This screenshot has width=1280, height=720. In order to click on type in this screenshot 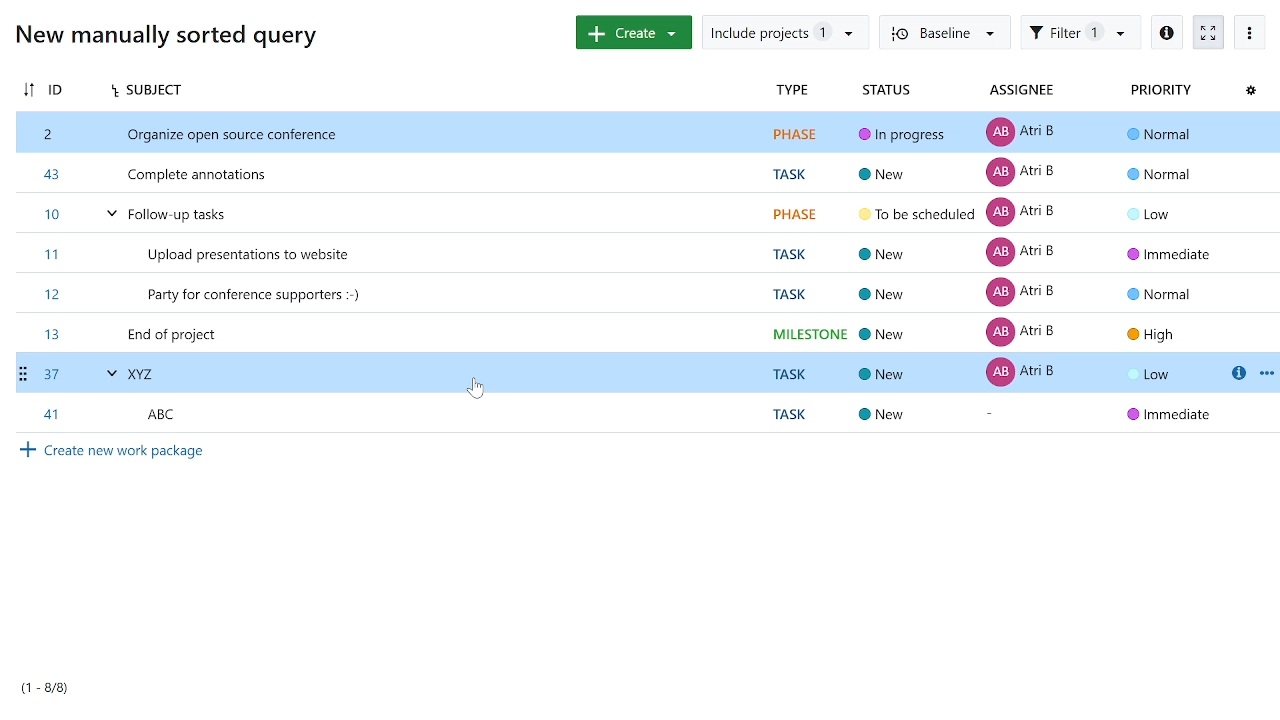, I will do `click(791, 91)`.